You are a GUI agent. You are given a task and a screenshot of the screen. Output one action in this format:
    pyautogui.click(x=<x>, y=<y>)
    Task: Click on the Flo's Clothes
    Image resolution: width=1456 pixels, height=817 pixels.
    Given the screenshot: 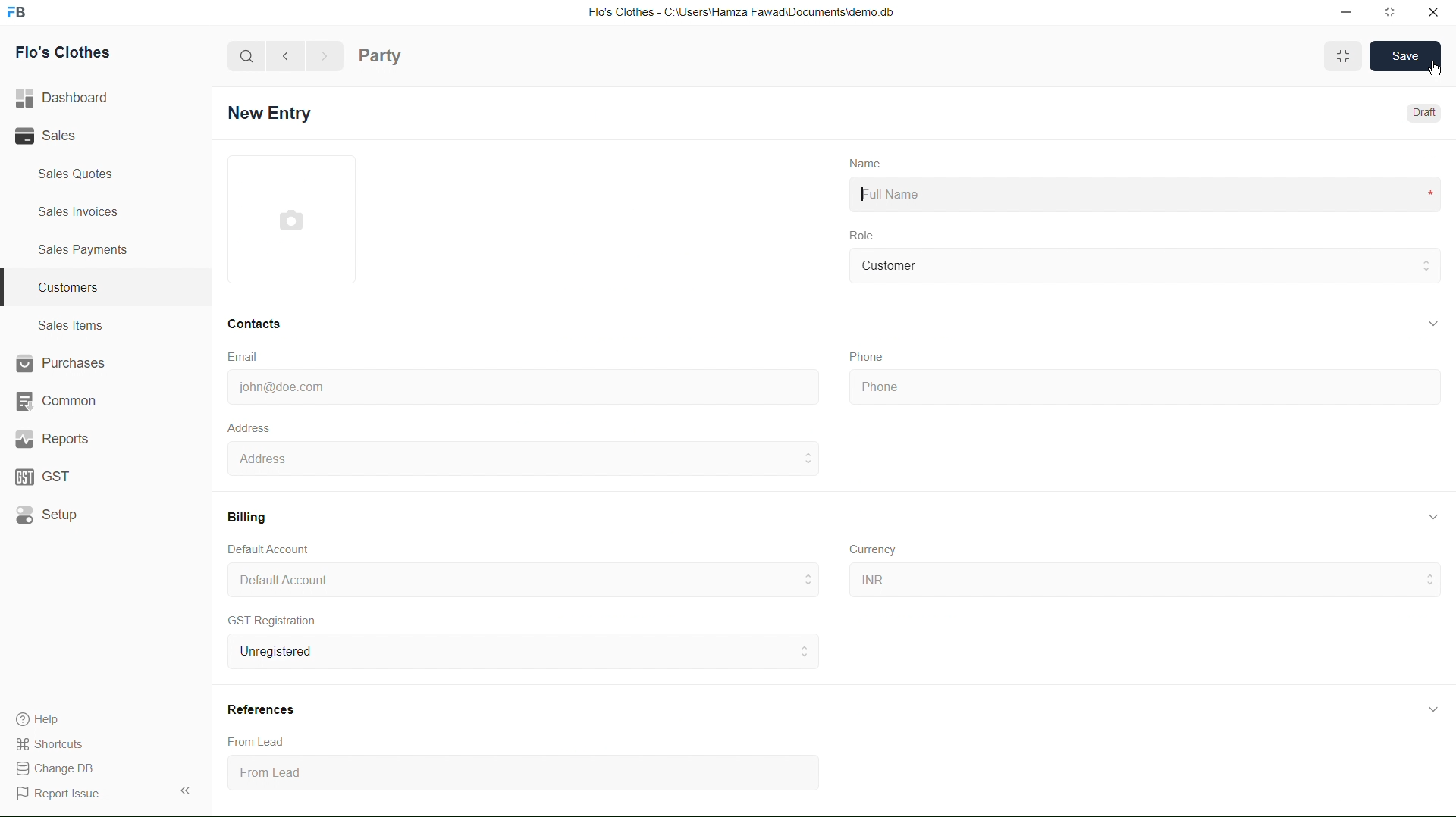 What is the action you would take?
    pyautogui.click(x=59, y=55)
    